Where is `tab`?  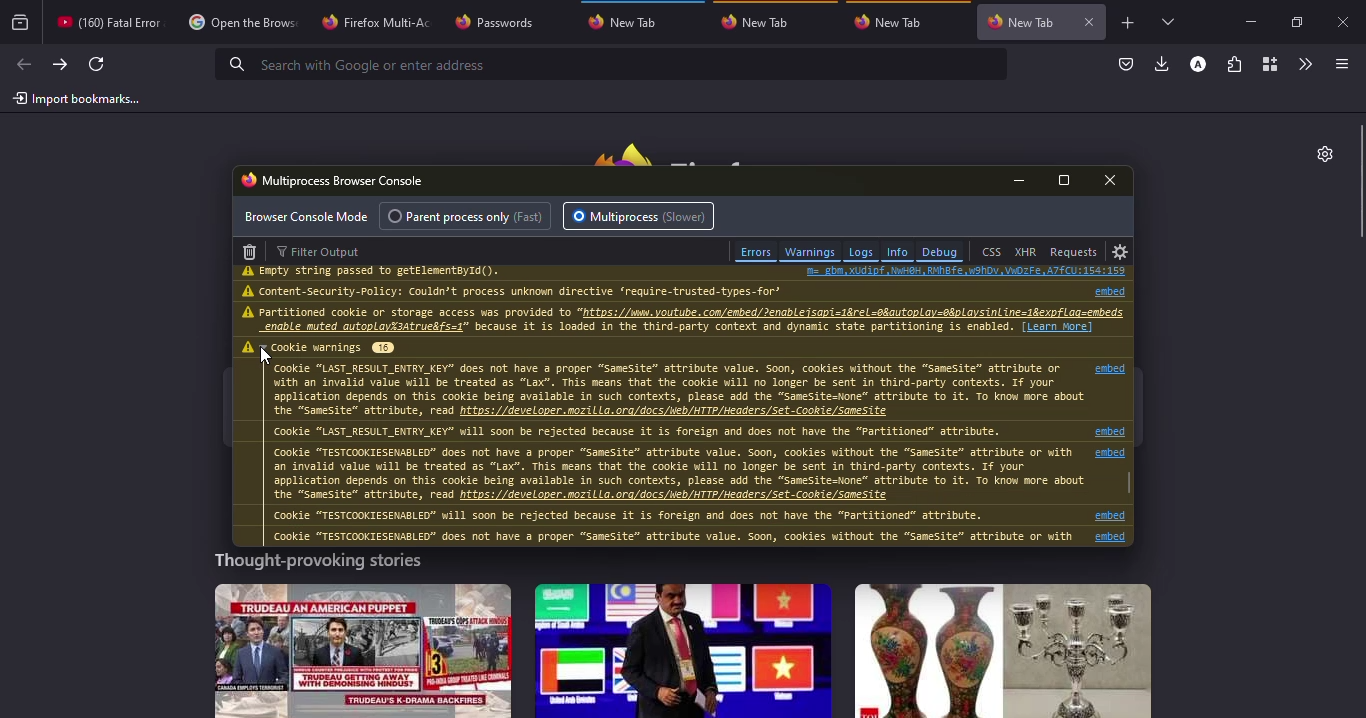 tab is located at coordinates (1022, 19).